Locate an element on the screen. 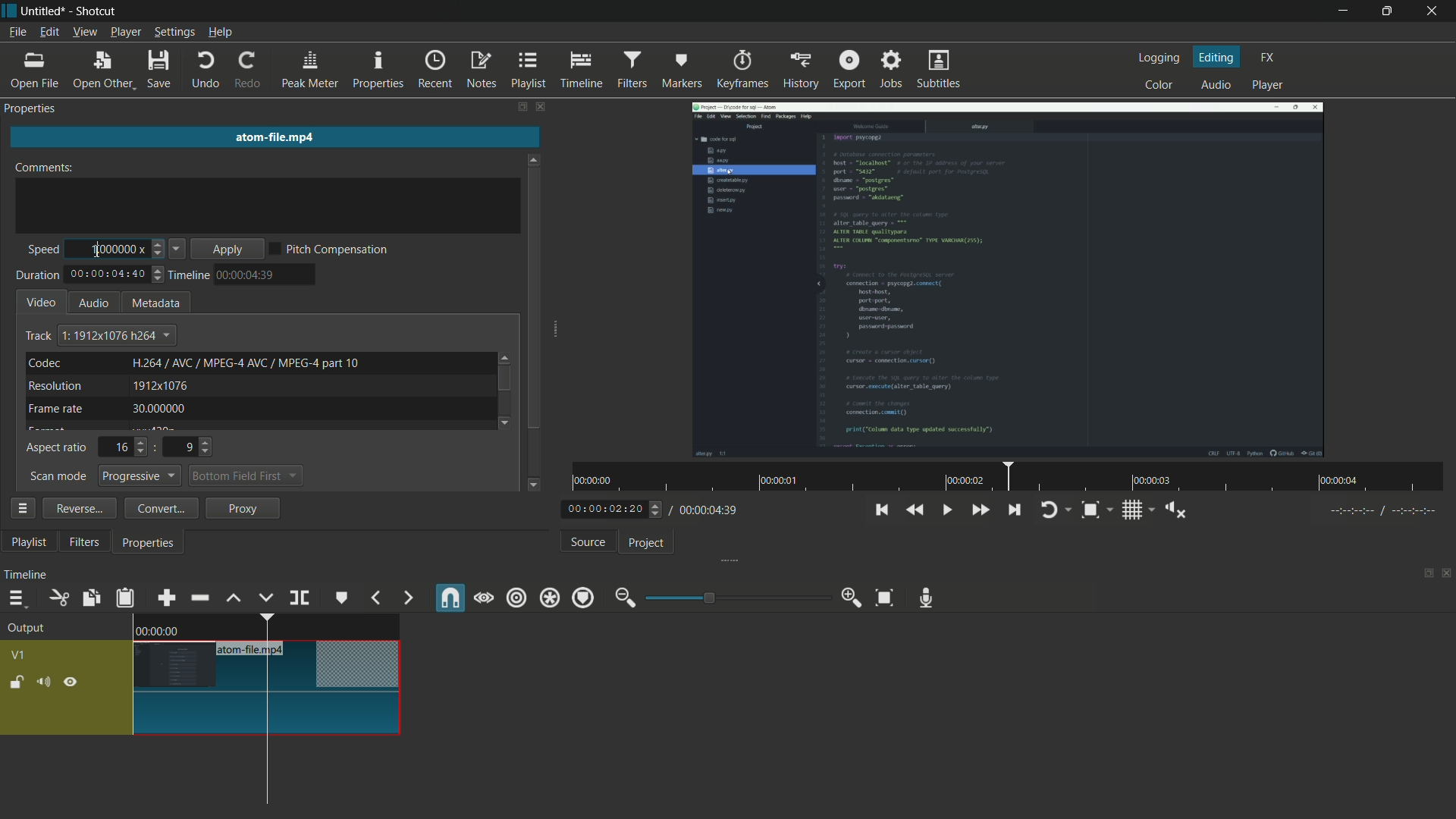 The height and width of the screenshot is (819, 1456). help menu is located at coordinates (221, 32).